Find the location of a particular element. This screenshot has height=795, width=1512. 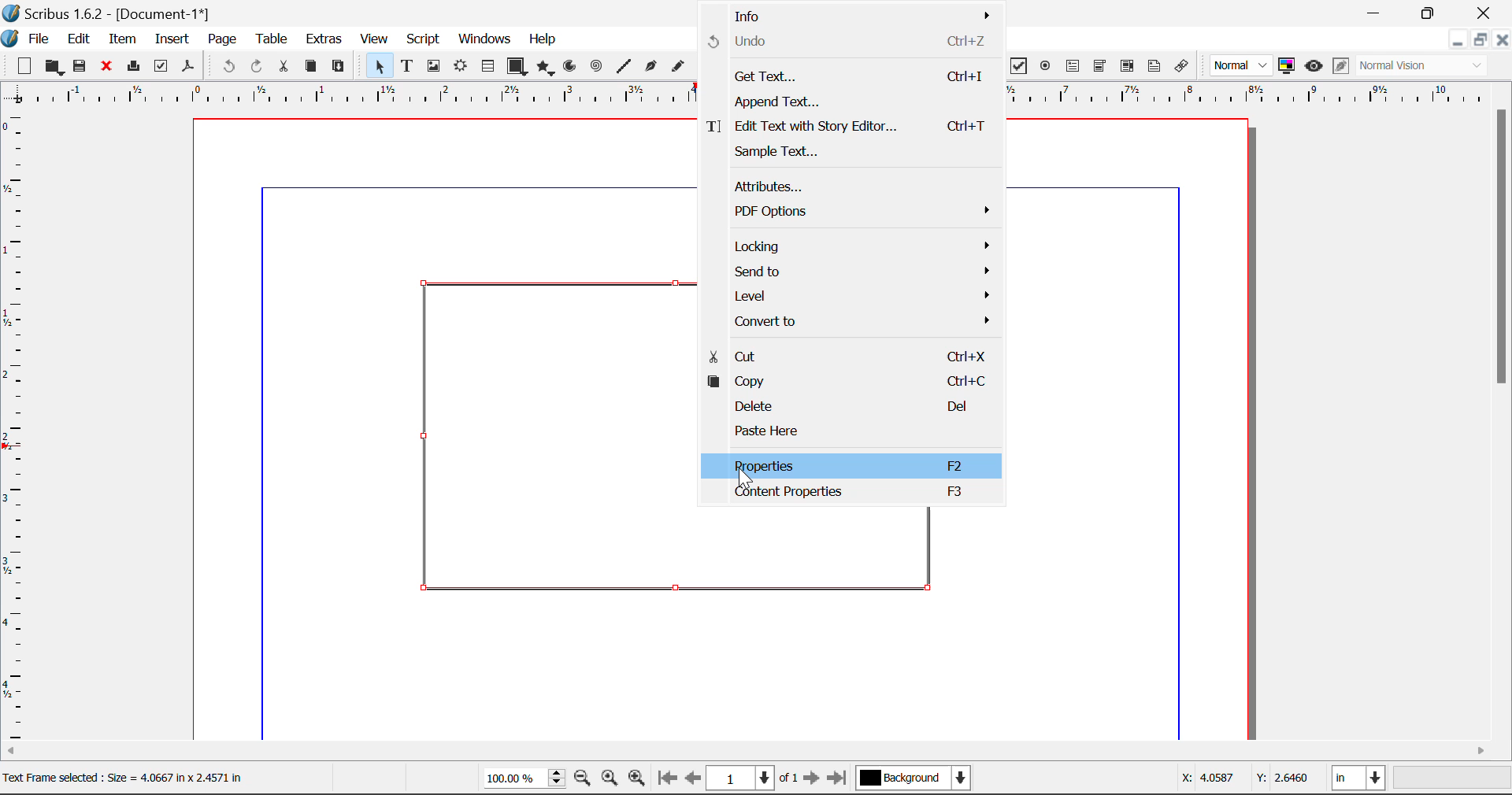

Save as Pdf is located at coordinates (188, 67).